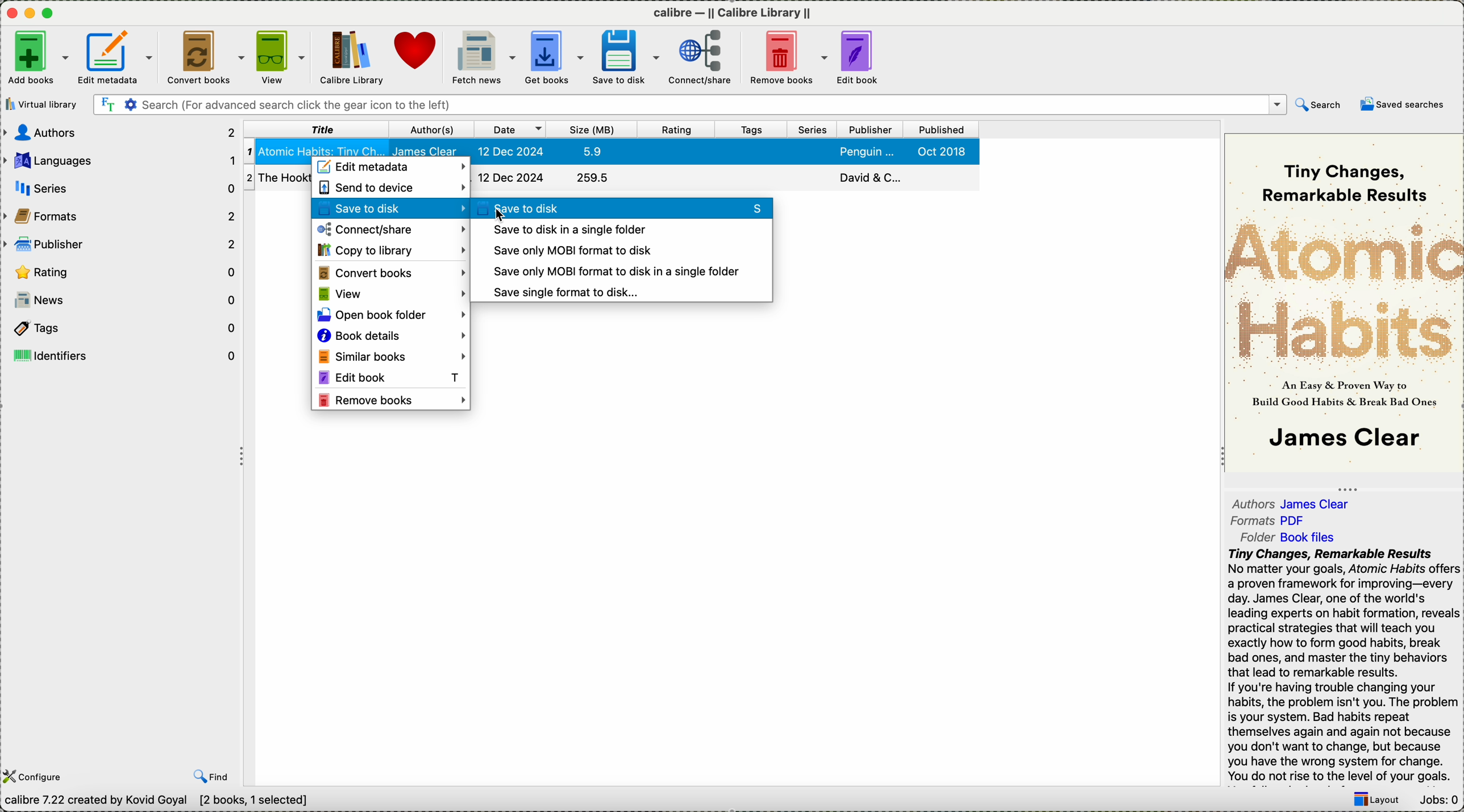 The image size is (1464, 812). I want to click on open book folder, so click(392, 315).